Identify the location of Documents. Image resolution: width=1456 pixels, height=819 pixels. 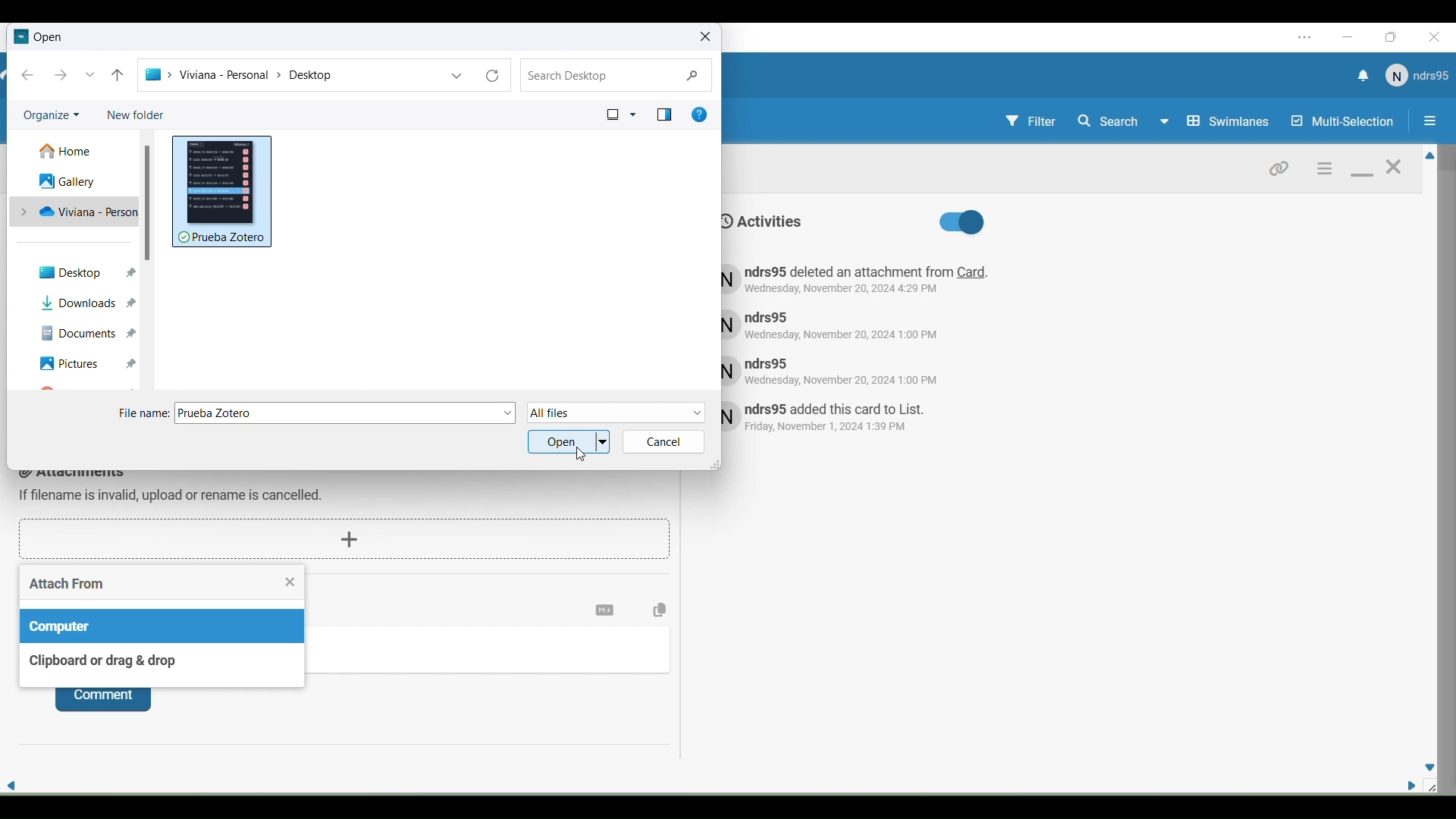
(88, 334).